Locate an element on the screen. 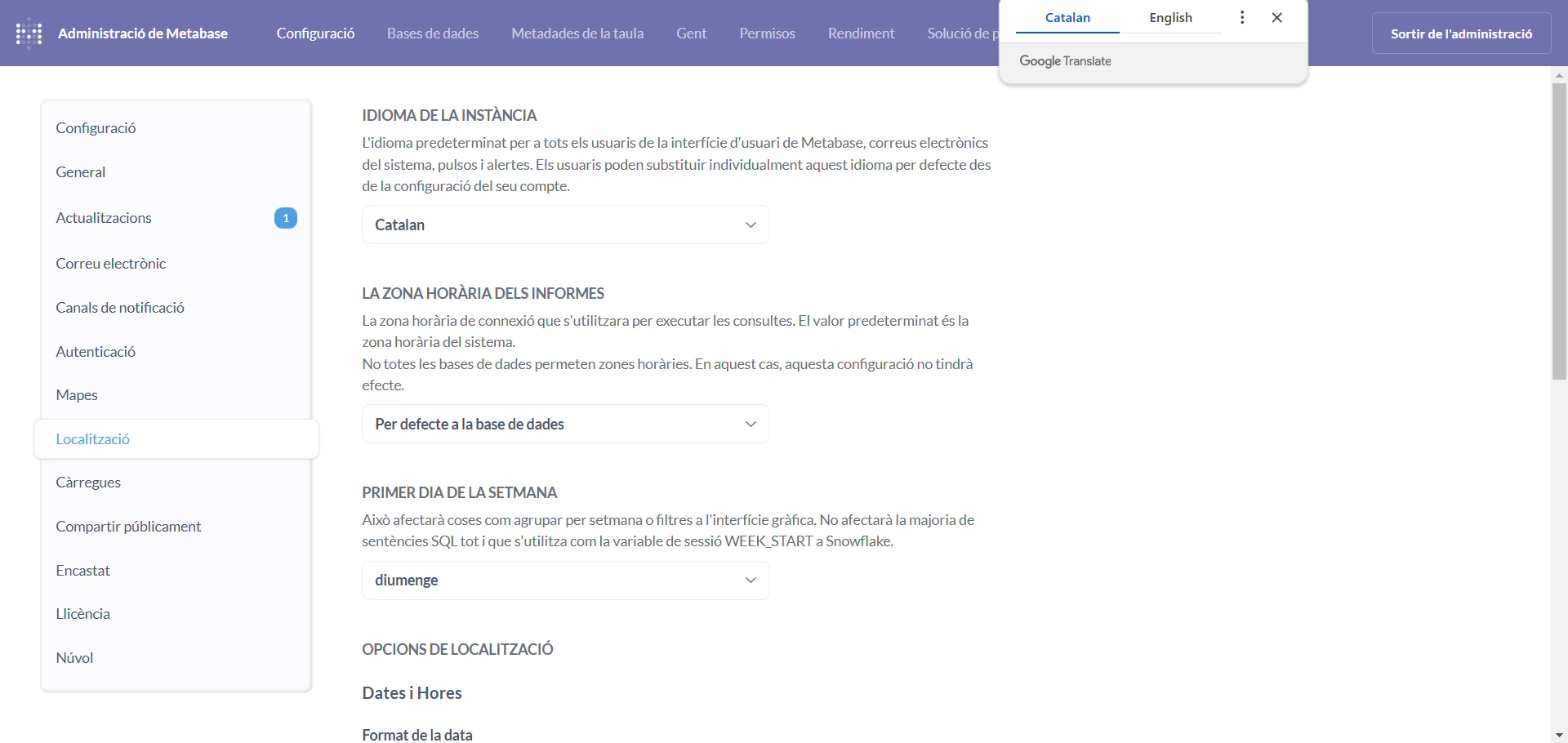 The height and width of the screenshot is (743, 1568). selected language dropdown is located at coordinates (567, 222).